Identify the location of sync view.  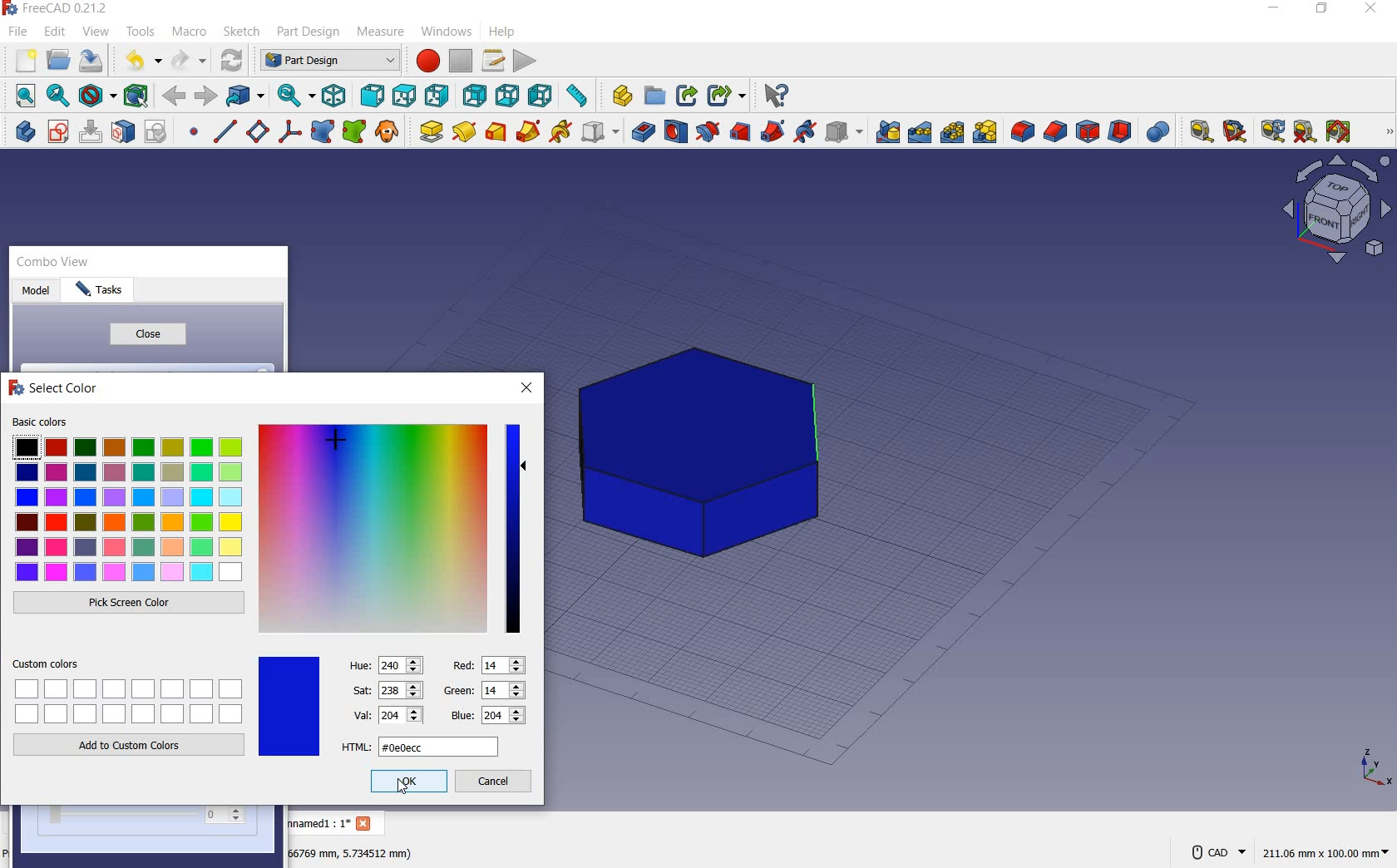
(294, 95).